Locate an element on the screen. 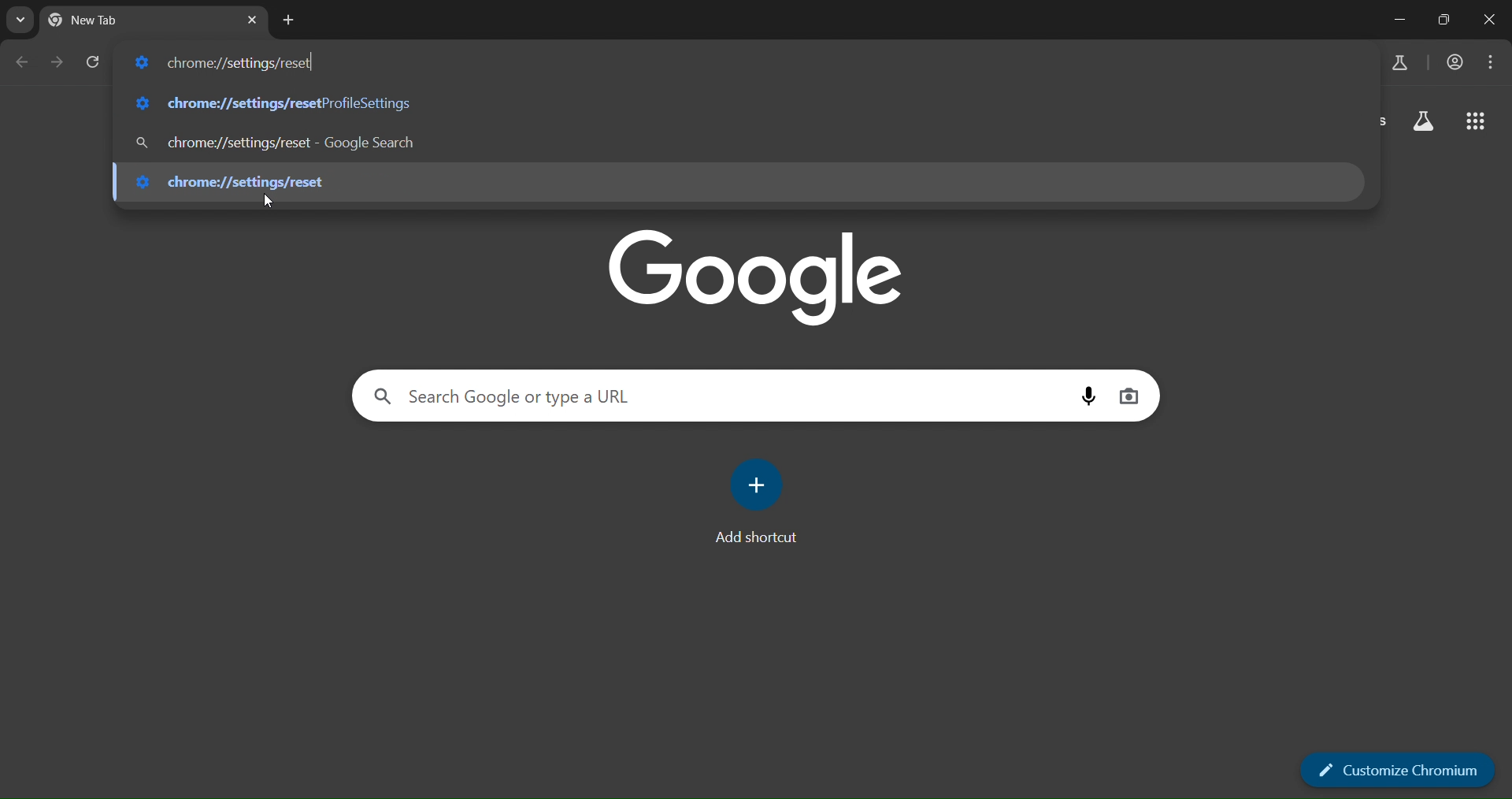  search labs is located at coordinates (1424, 122).